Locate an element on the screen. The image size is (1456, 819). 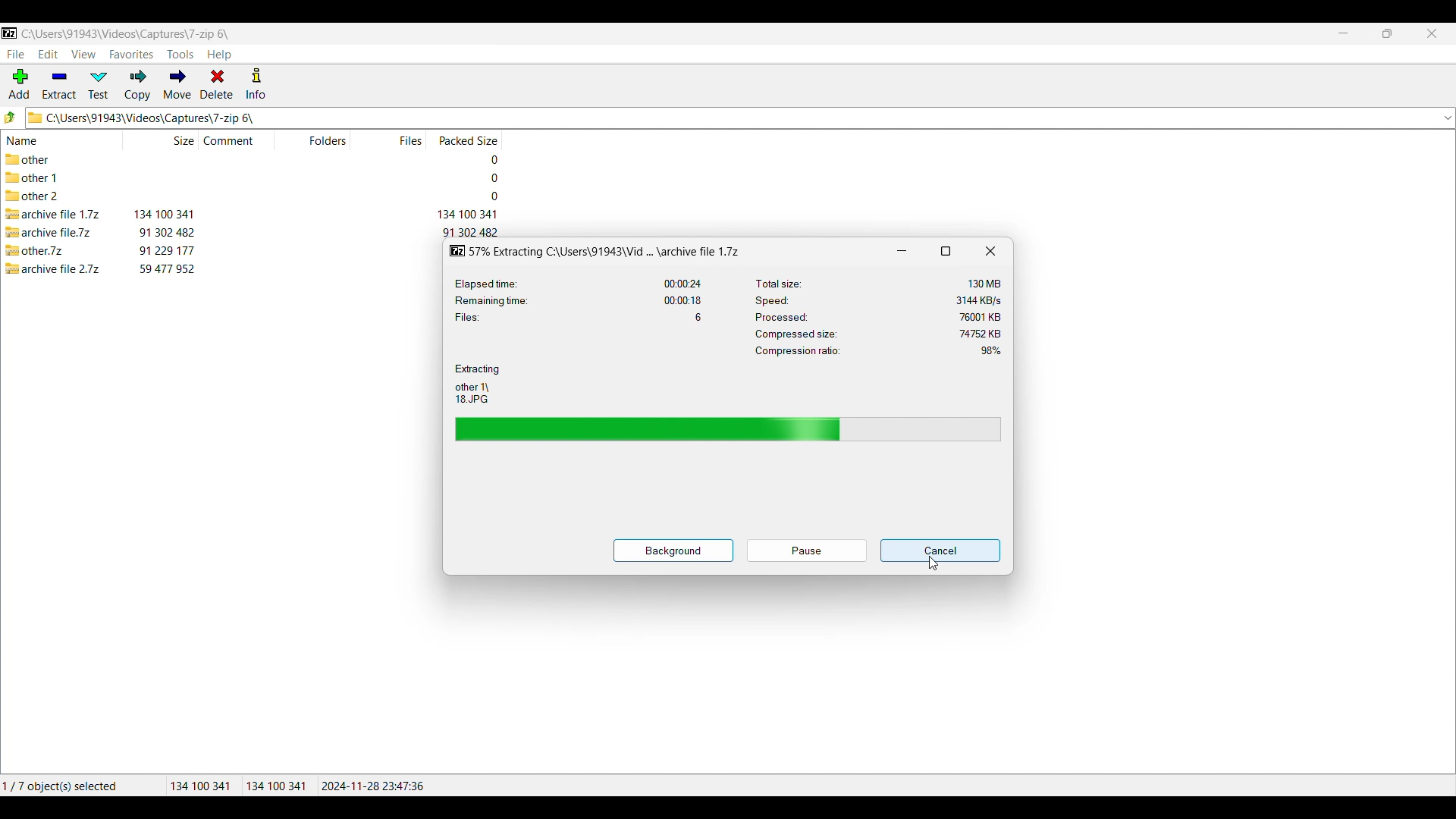
dropdown is located at coordinates (1447, 118).